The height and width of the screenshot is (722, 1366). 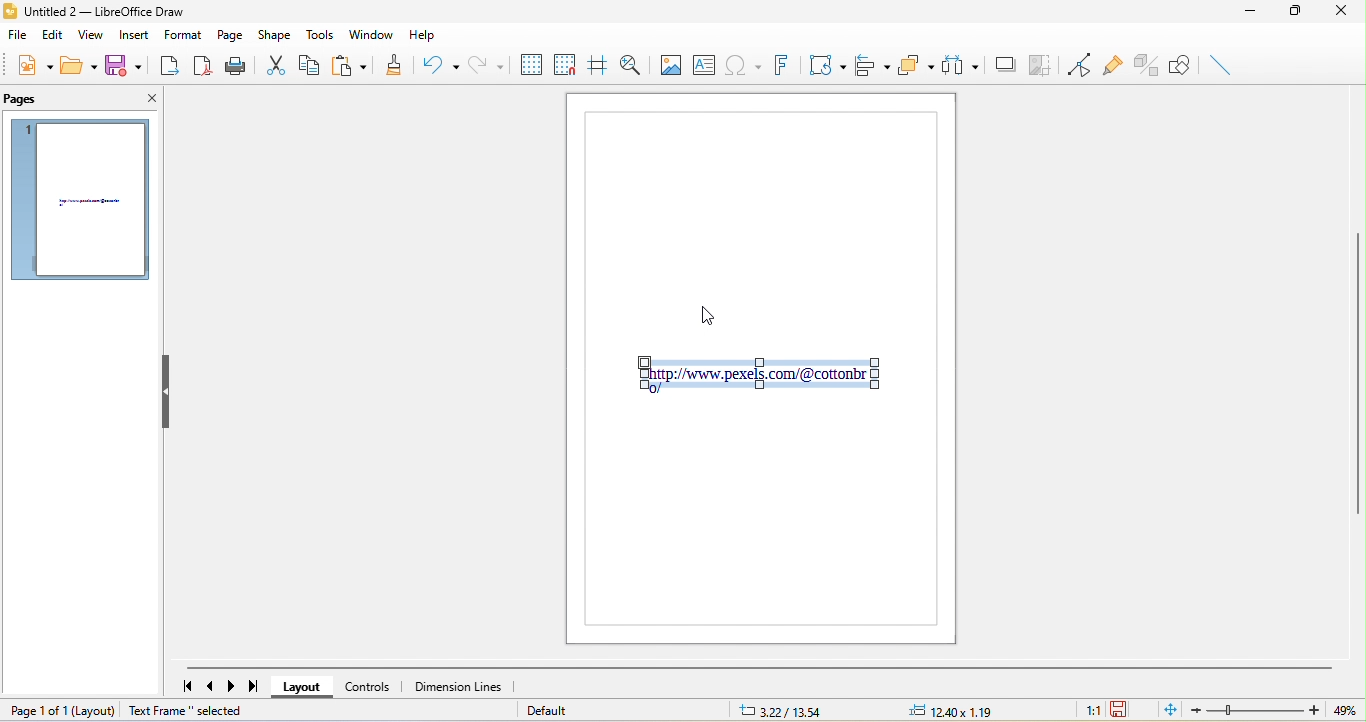 What do you see at coordinates (420, 33) in the screenshot?
I see `help` at bounding box center [420, 33].